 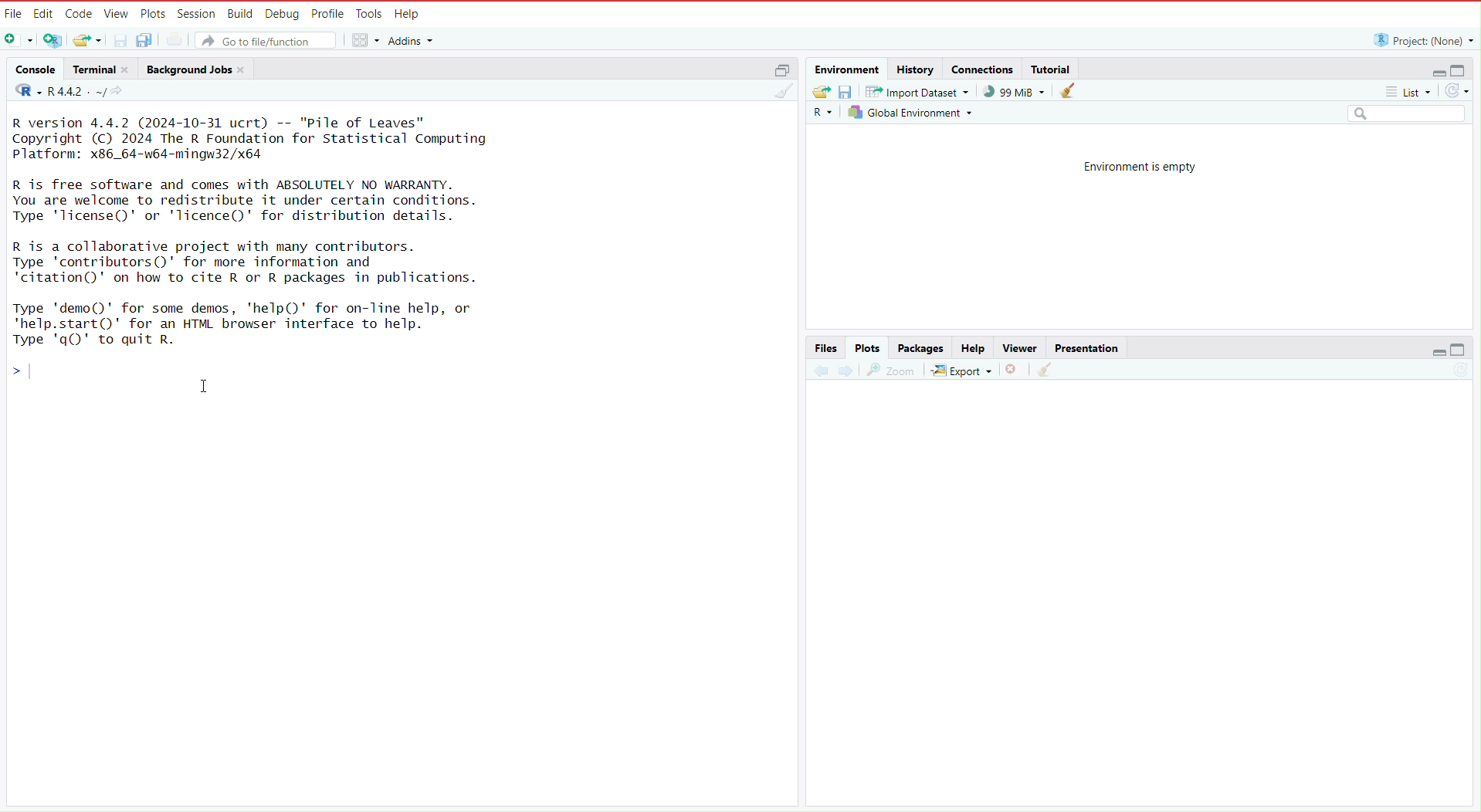 I want to click on cursor, so click(x=202, y=386).